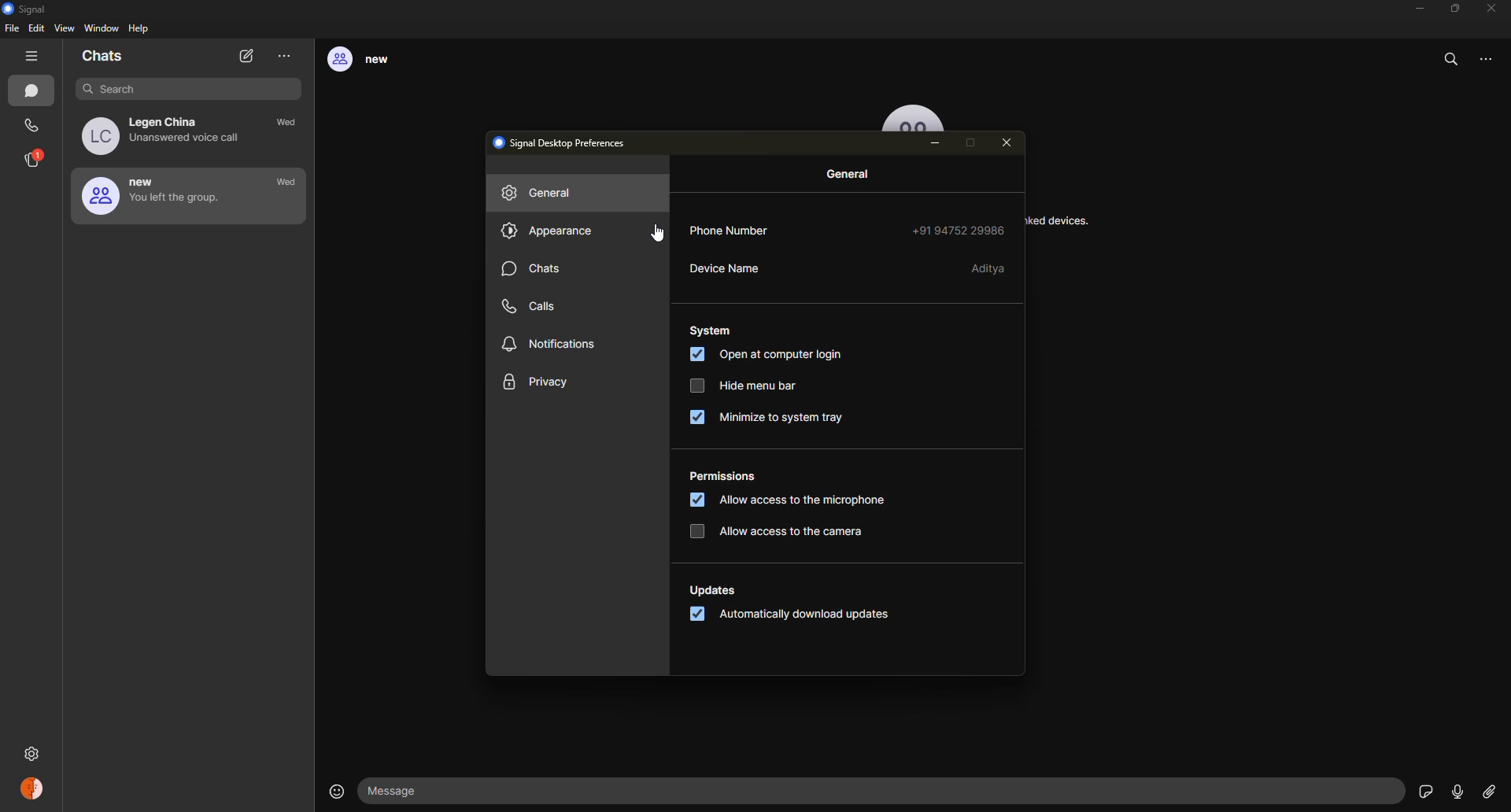 This screenshot has height=812, width=1511. What do you see at coordinates (543, 195) in the screenshot?
I see `general` at bounding box center [543, 195].